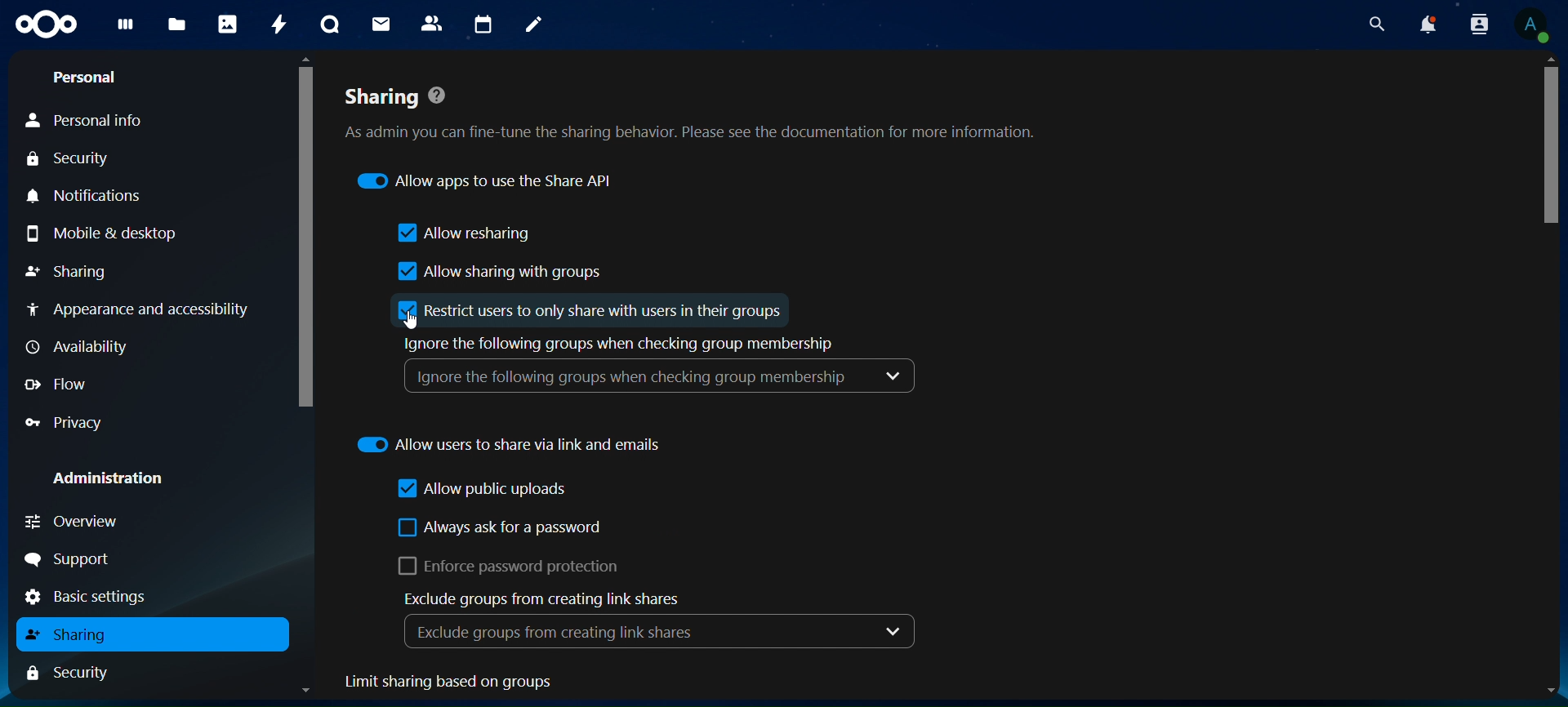 This screenshot has width=1568, height=707. Describe the element at coordinates (139, 306) in the screenshot. I see `appearance and accessibilty` at that location.